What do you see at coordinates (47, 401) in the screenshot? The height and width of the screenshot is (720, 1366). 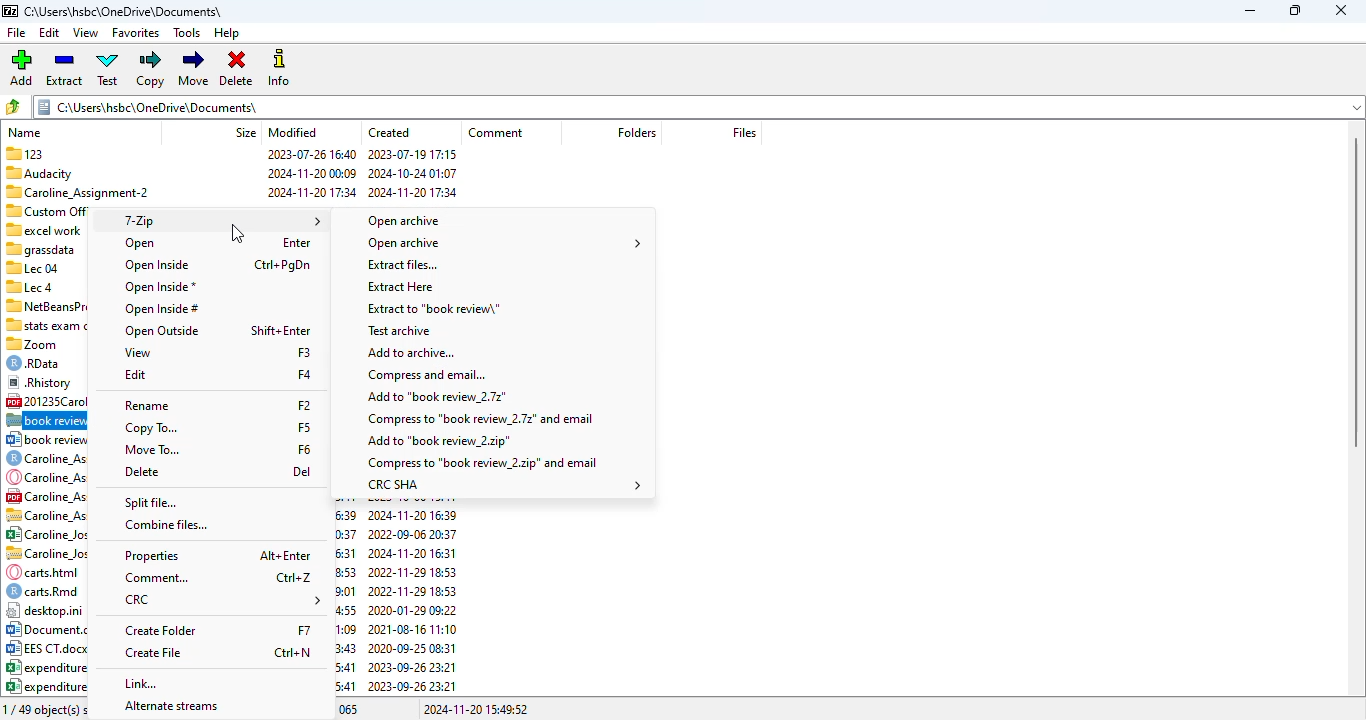 I see `[4 201235Carolineloseph3.` at bounding box center [47, 401].